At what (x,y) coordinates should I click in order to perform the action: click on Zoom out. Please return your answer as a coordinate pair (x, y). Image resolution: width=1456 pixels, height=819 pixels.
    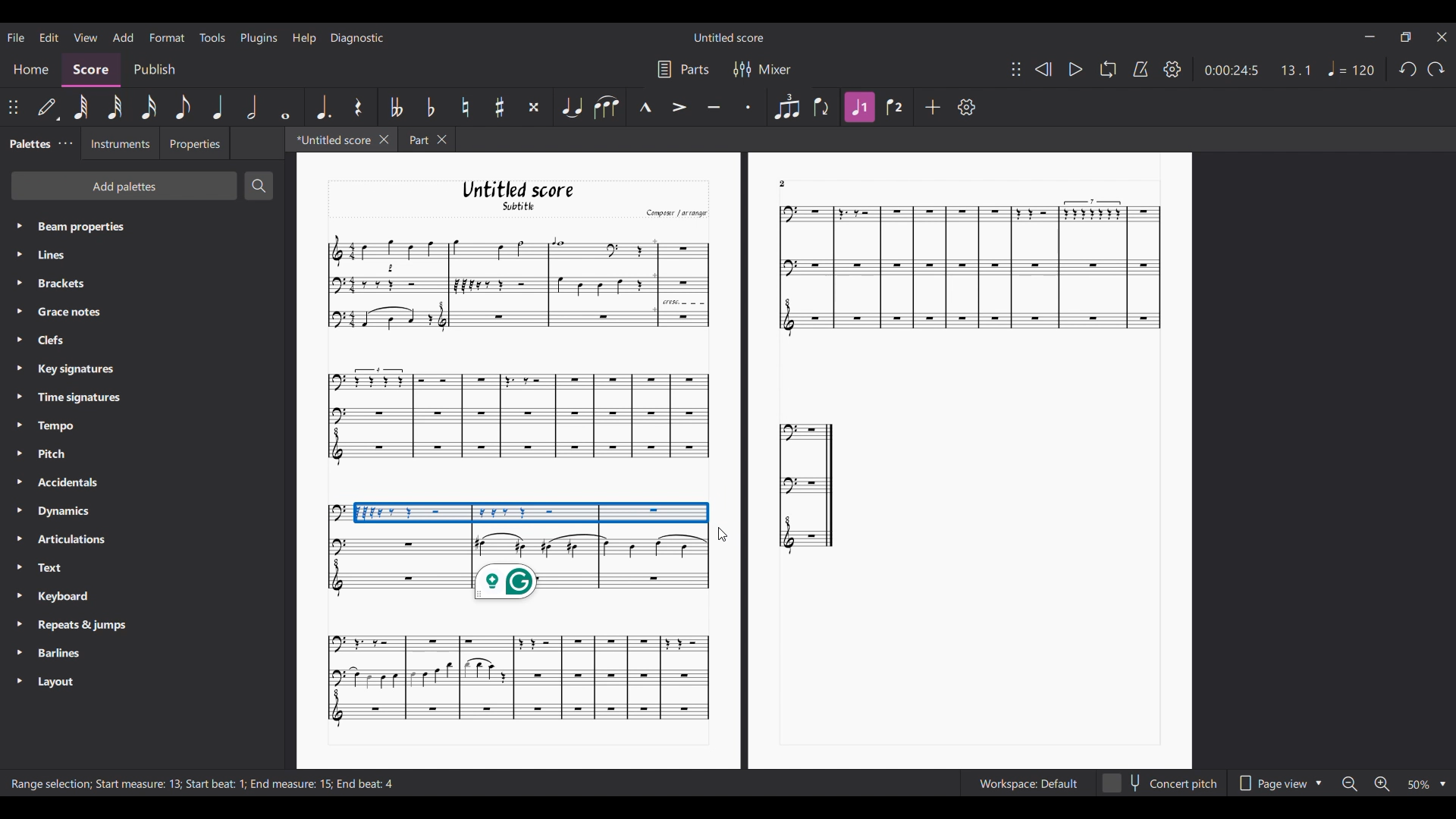
    Looking at the image, I should click on (1348, 783).